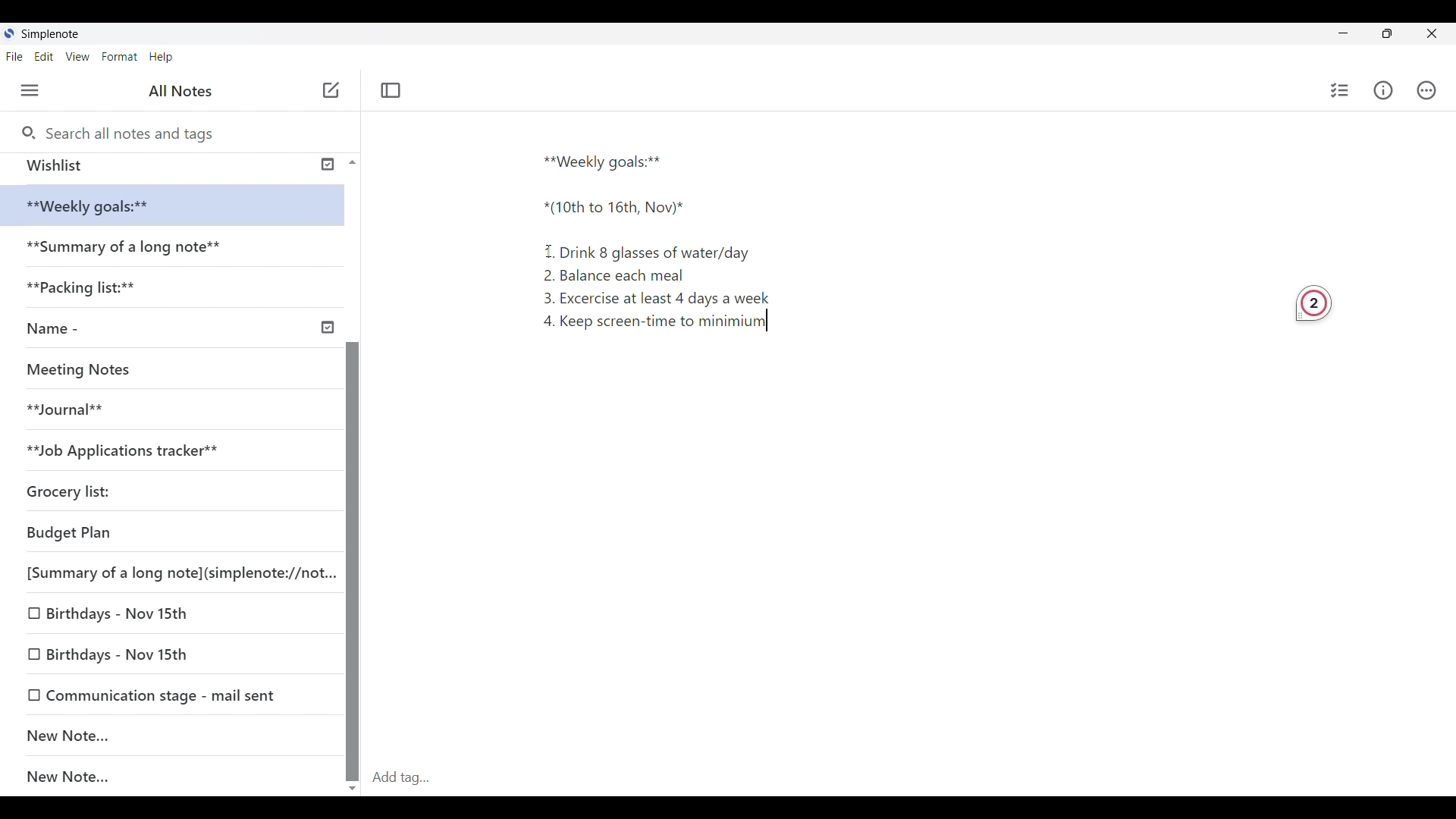  I want to click on Menu • ctrl + shift + u, so click(36, 90).